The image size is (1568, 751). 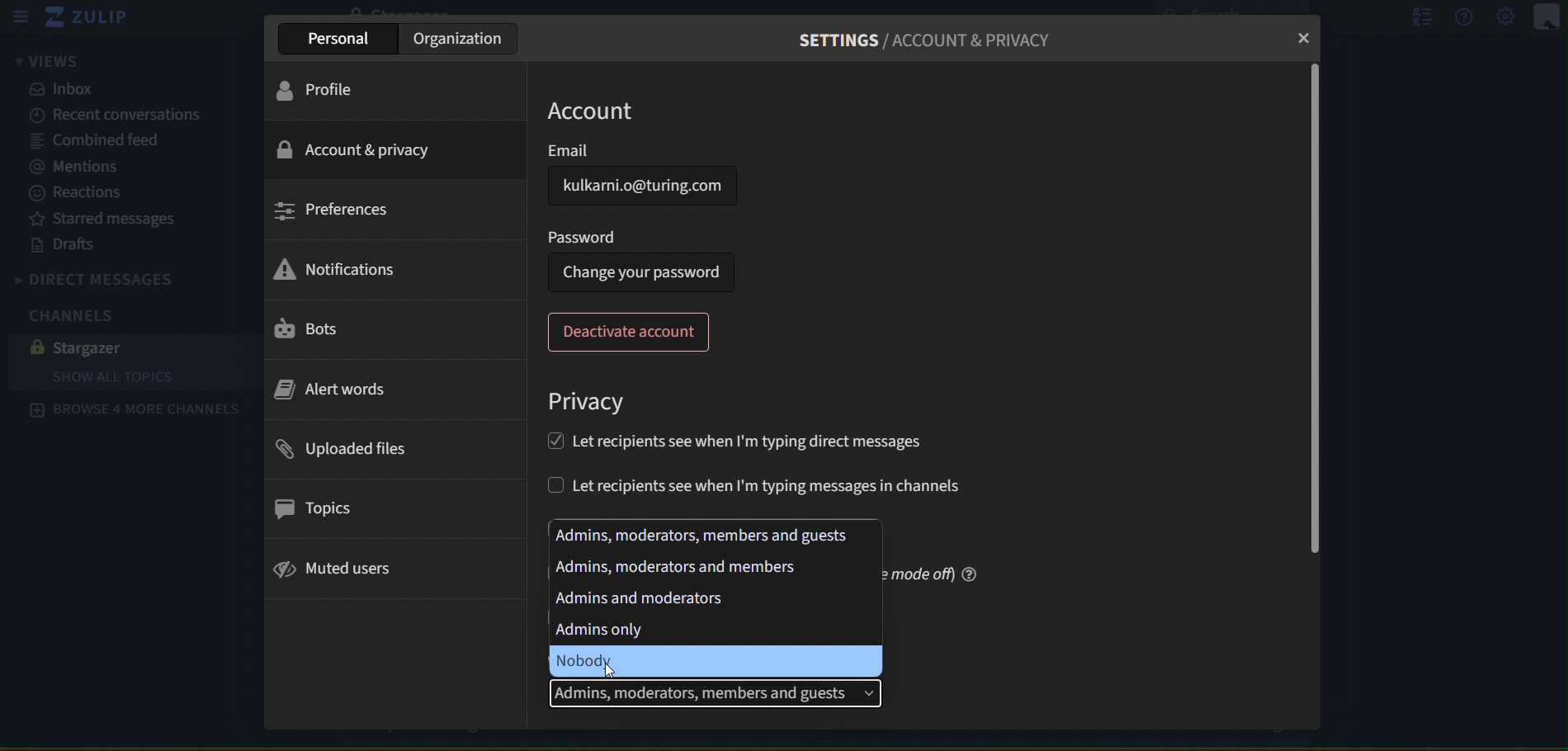 I want to click on preferences, so click(x=333, y=210).